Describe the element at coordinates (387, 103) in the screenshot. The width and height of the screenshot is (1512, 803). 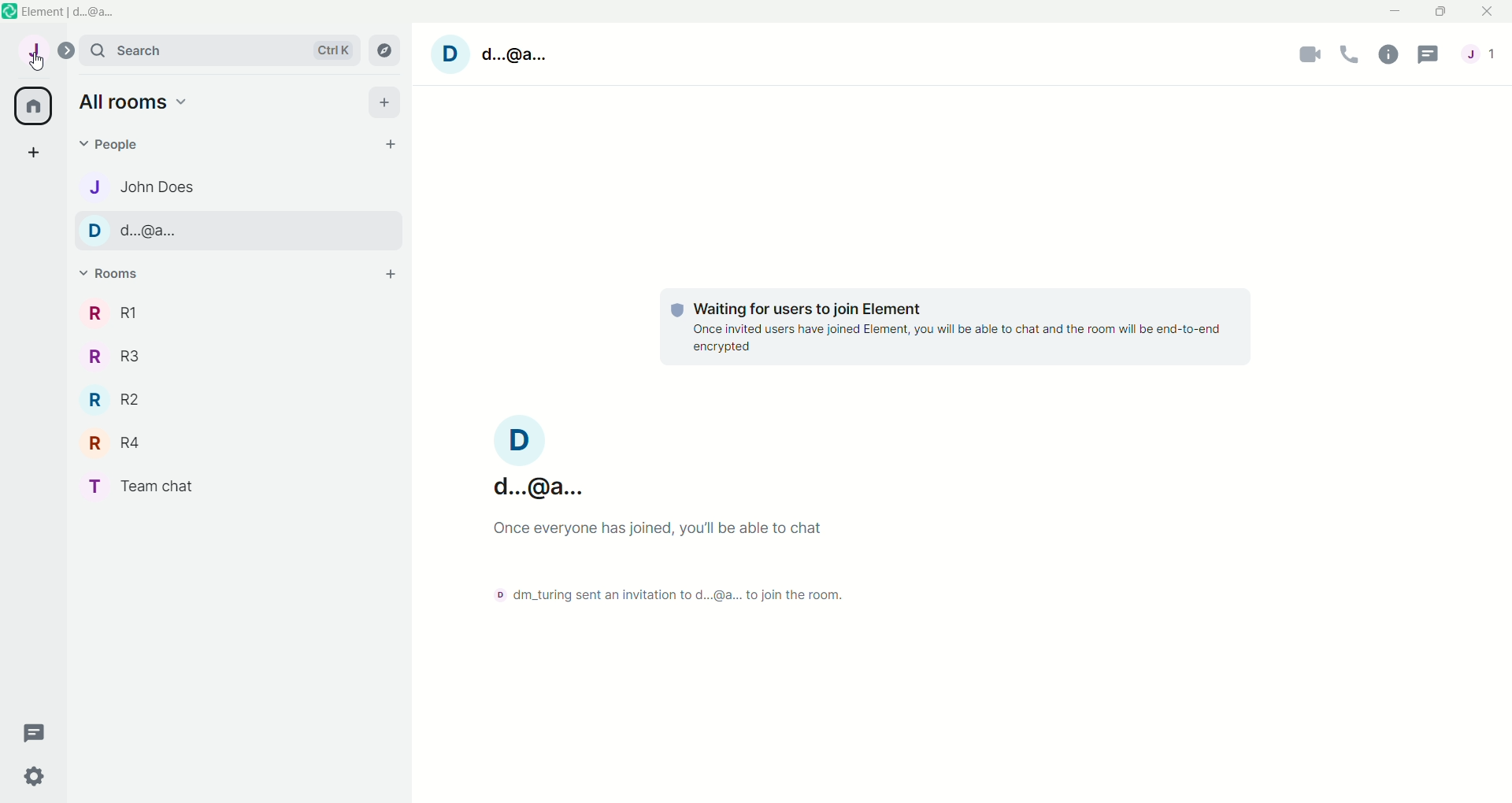
I see `Add` at that location.